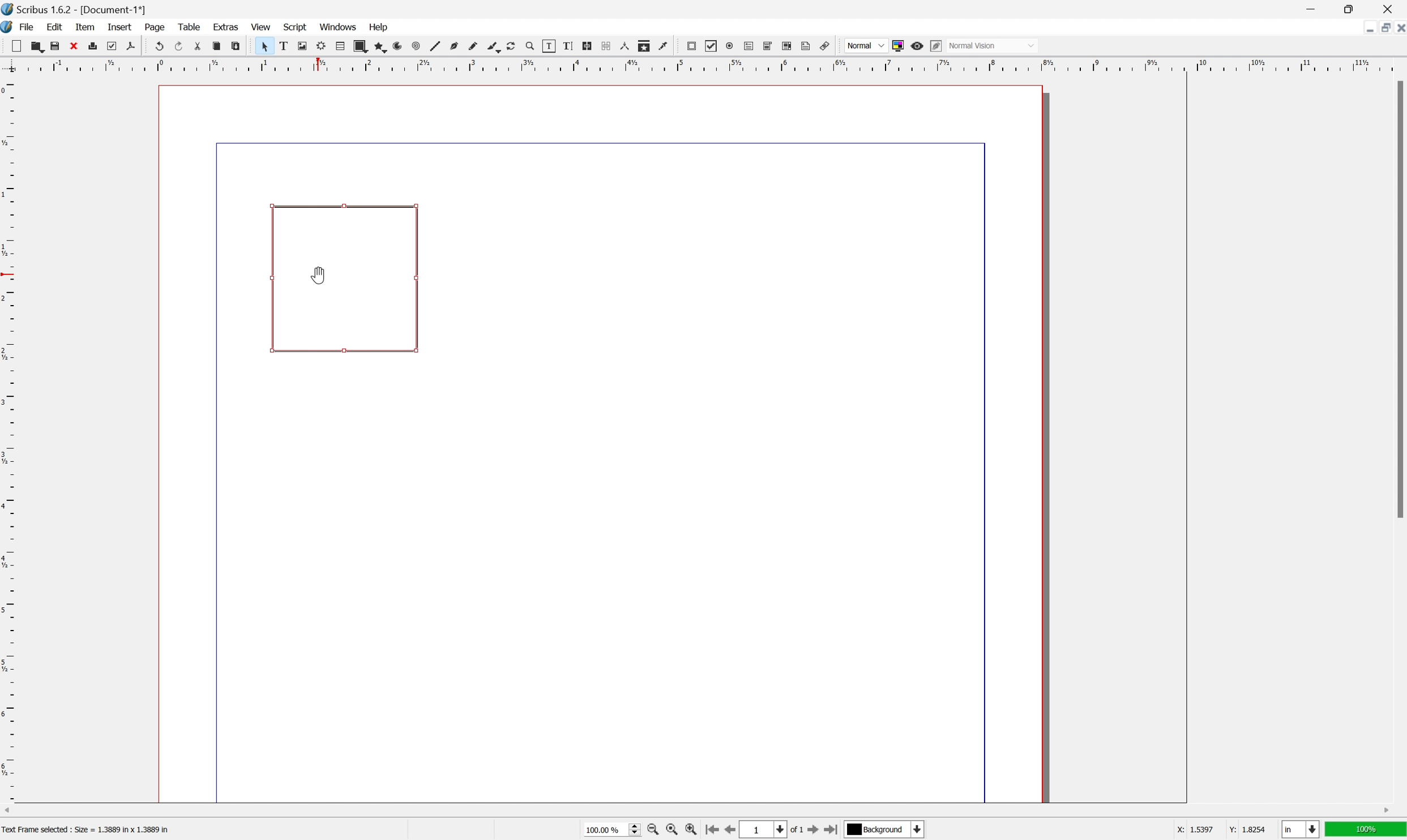 The image size is (1407, 840). What do you see at coordinates (826, 46) in the screenshot?
I see `link annotation` at bounding box center [826, 46].